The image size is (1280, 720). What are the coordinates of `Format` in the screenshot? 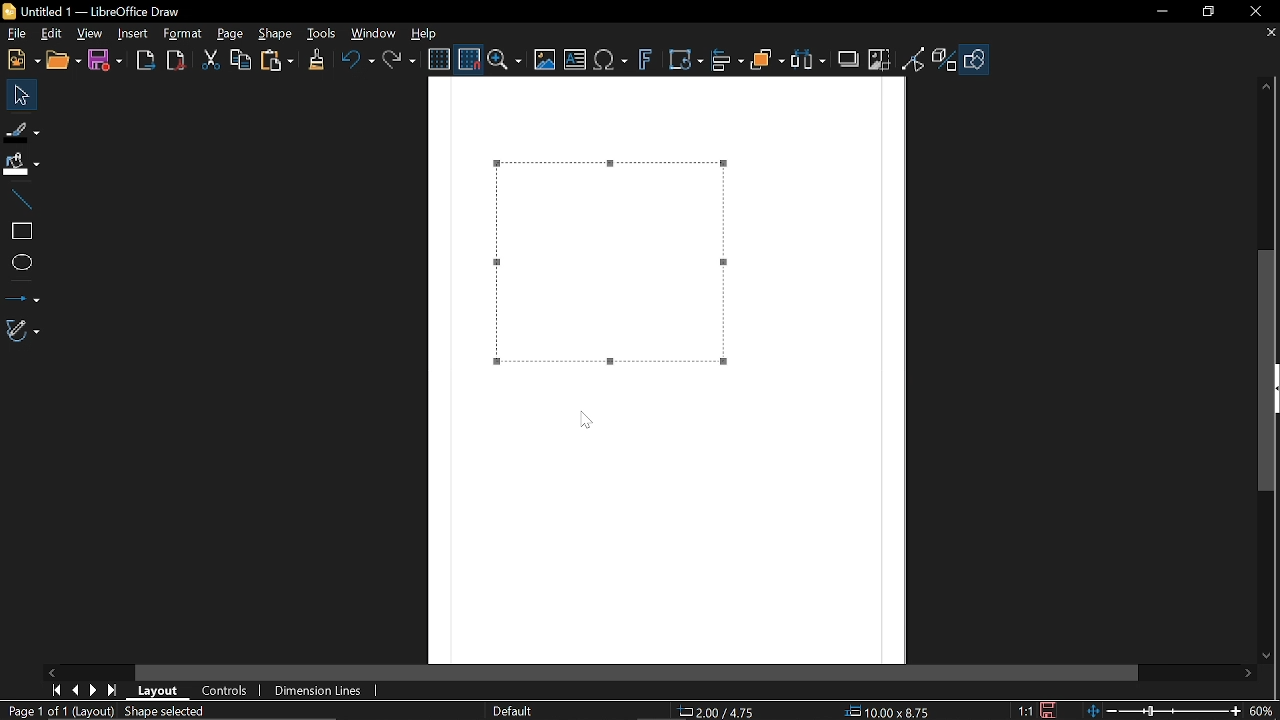 It's located at (183, 34).